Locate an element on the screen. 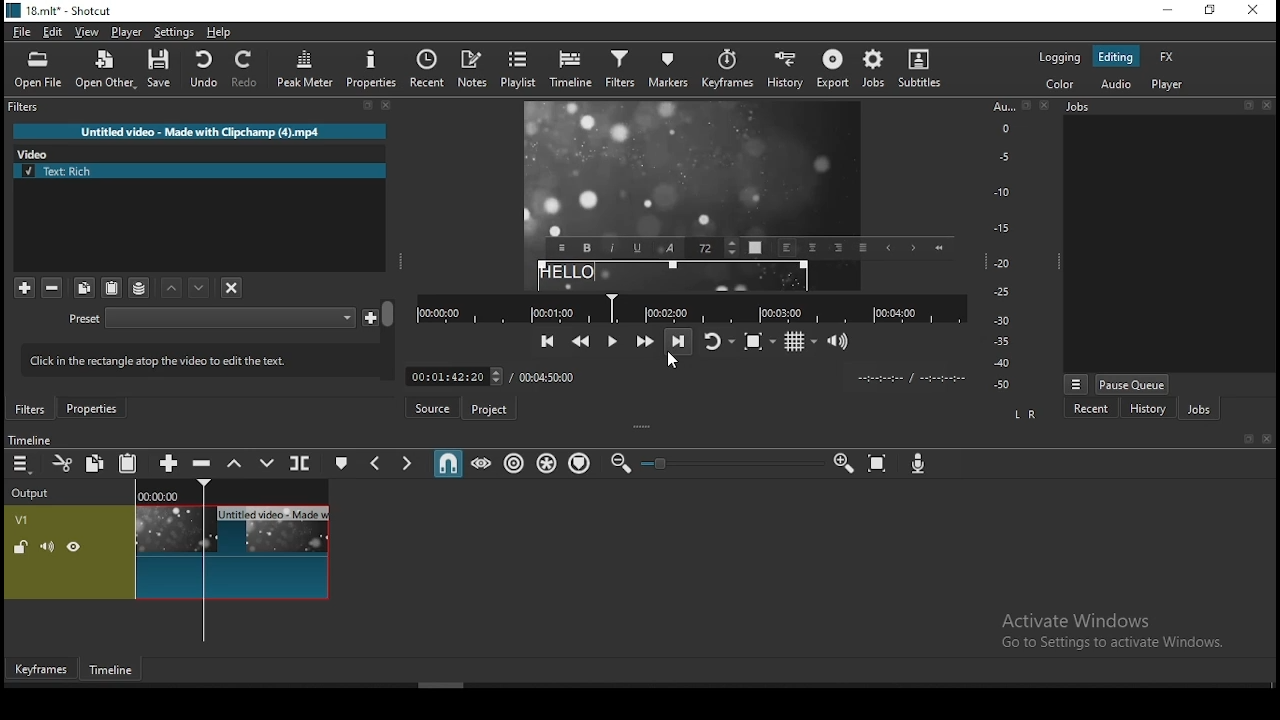  markers is located at coordinates (665, 74).